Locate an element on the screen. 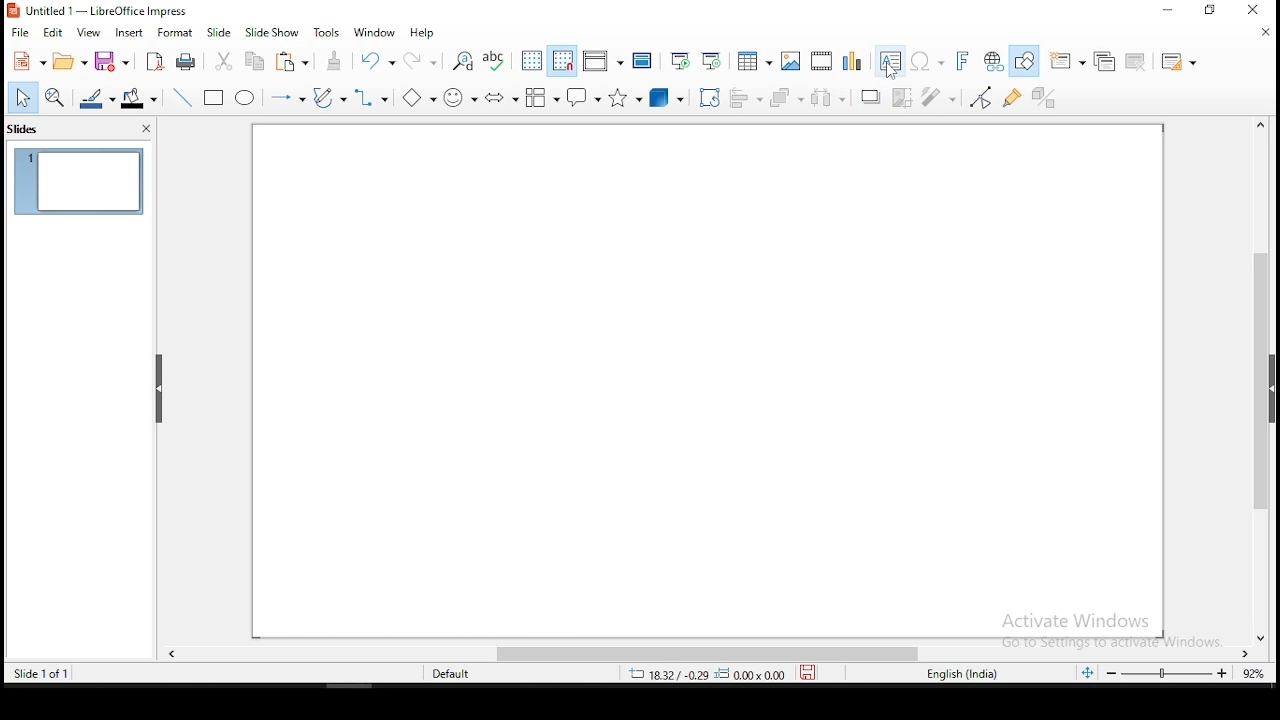  redo is located at coordinates (419, 58).